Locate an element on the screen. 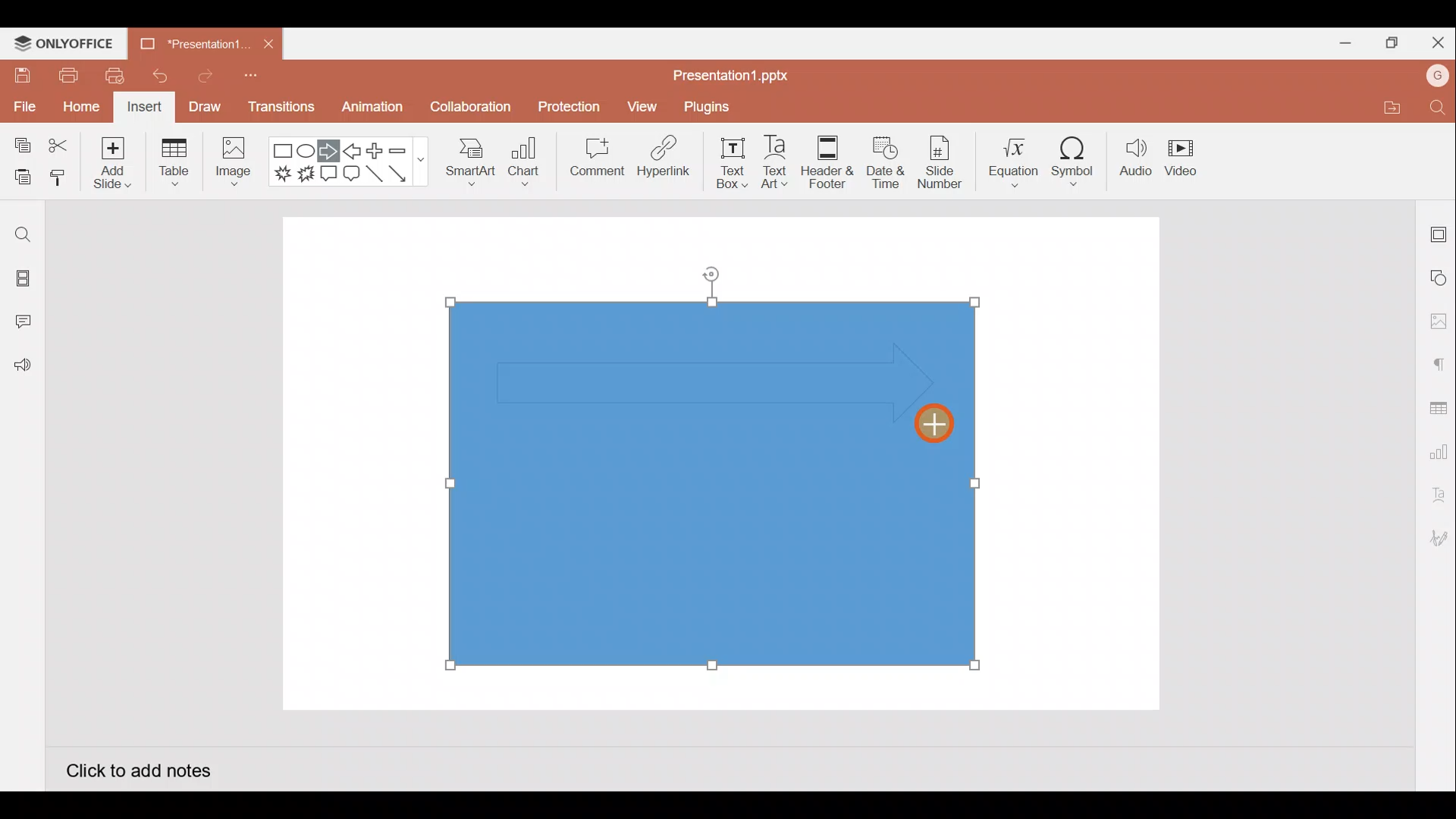 The height and width of the screenshot is (819, 1456). Presentation1. is located at coordinates (190, 41).